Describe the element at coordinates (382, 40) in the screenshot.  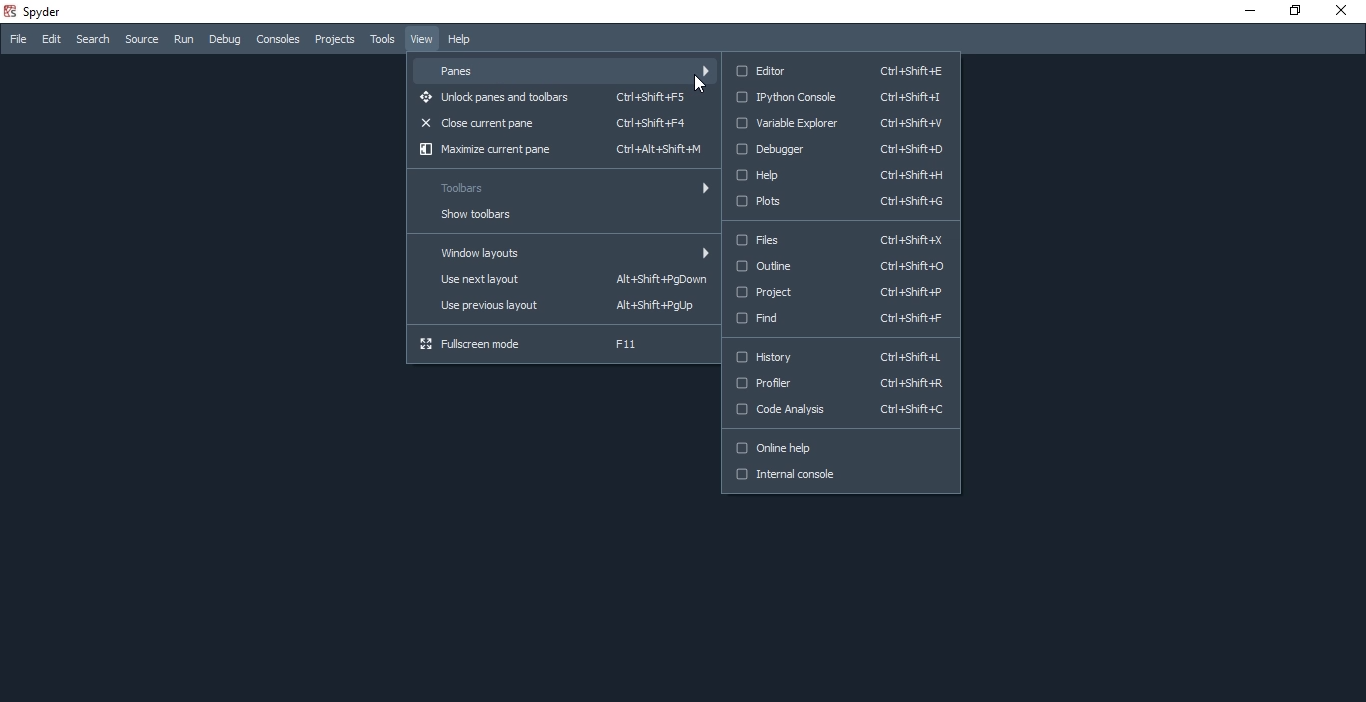
I see `Tools` at that location.